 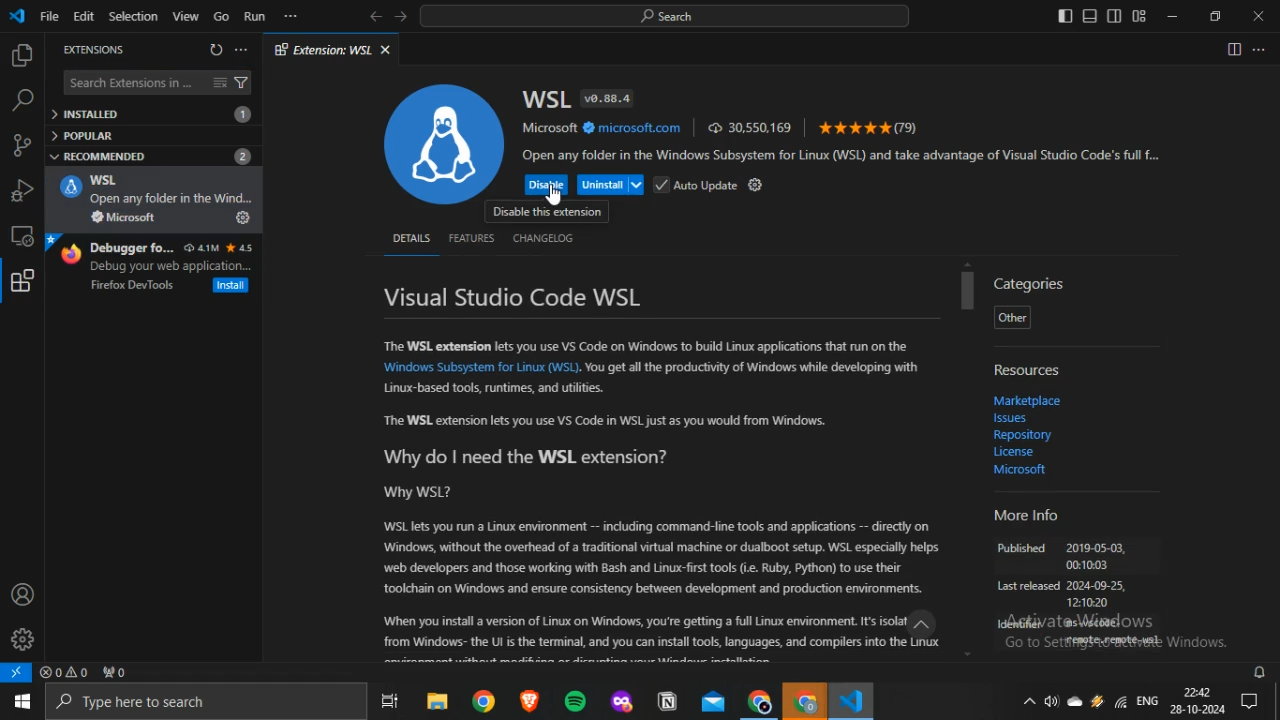 I want to click on scrollbar, so click(x=968, y=292).